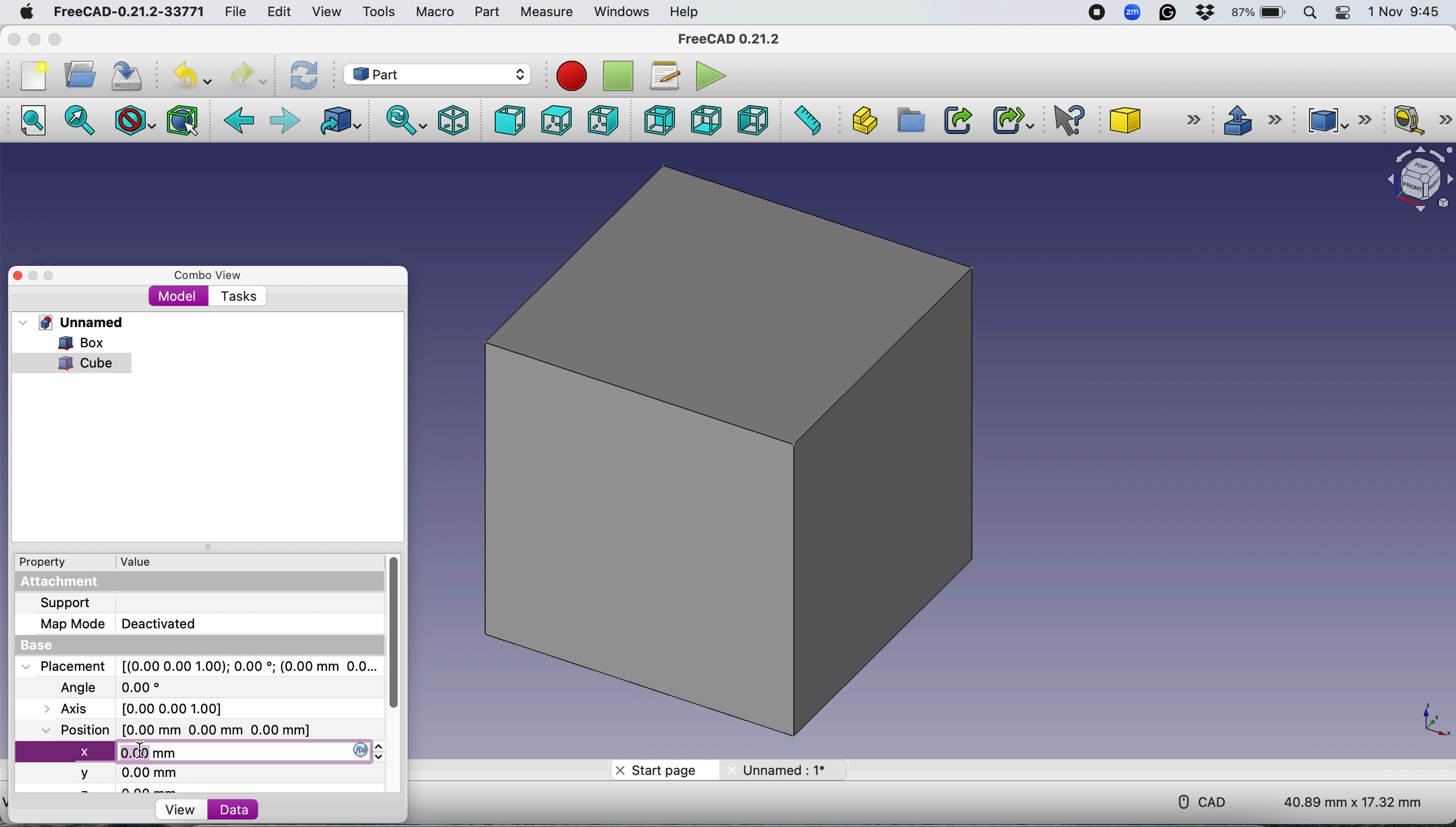 The width and height of the screenshot is (1456, 827). I want to click on Part, so click(486, 12).